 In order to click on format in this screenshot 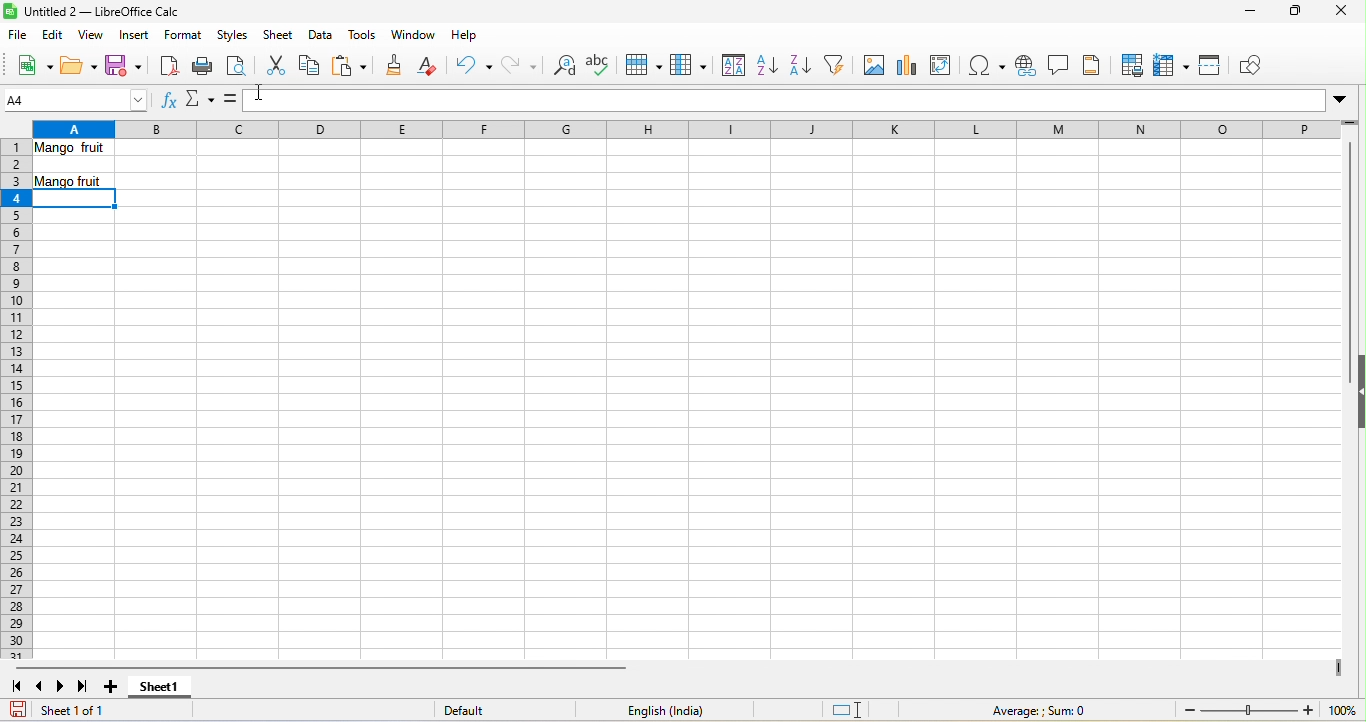, I will do `click(184, 37)`.